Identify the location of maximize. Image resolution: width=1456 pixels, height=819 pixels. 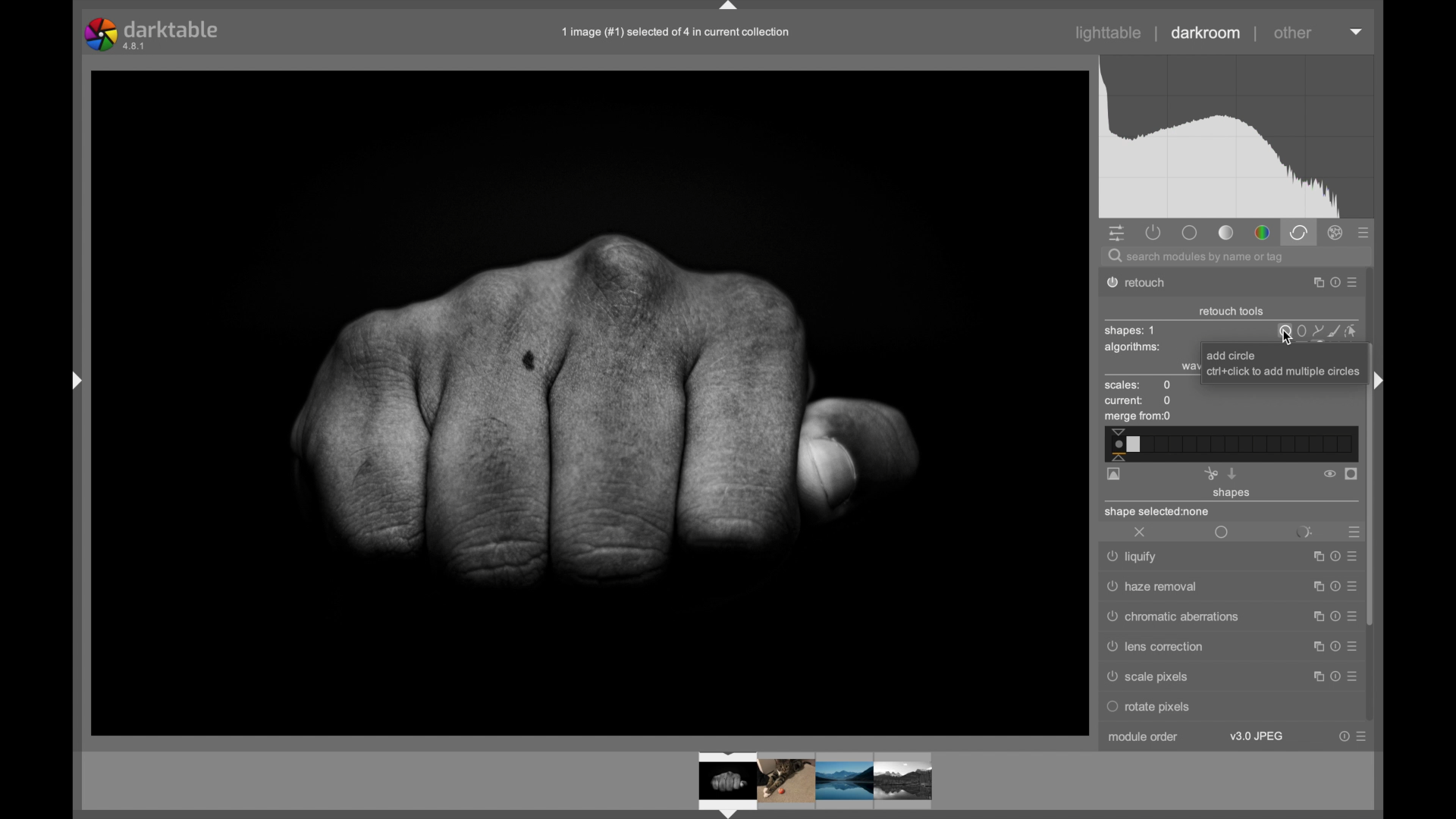
(1314, 646).